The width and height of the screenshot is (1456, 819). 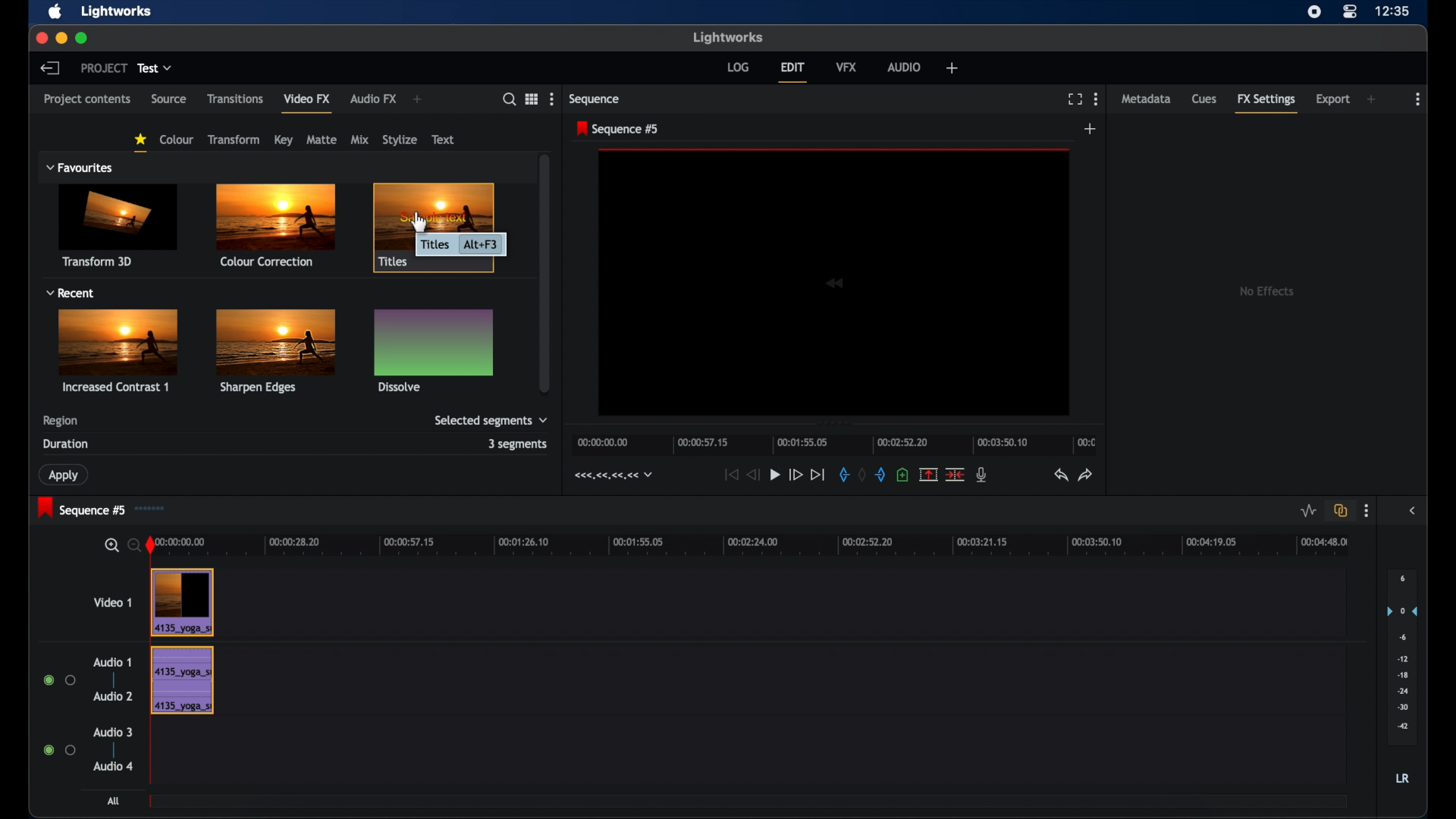 I want to click on sequence 5, so click(x=81, y=508).